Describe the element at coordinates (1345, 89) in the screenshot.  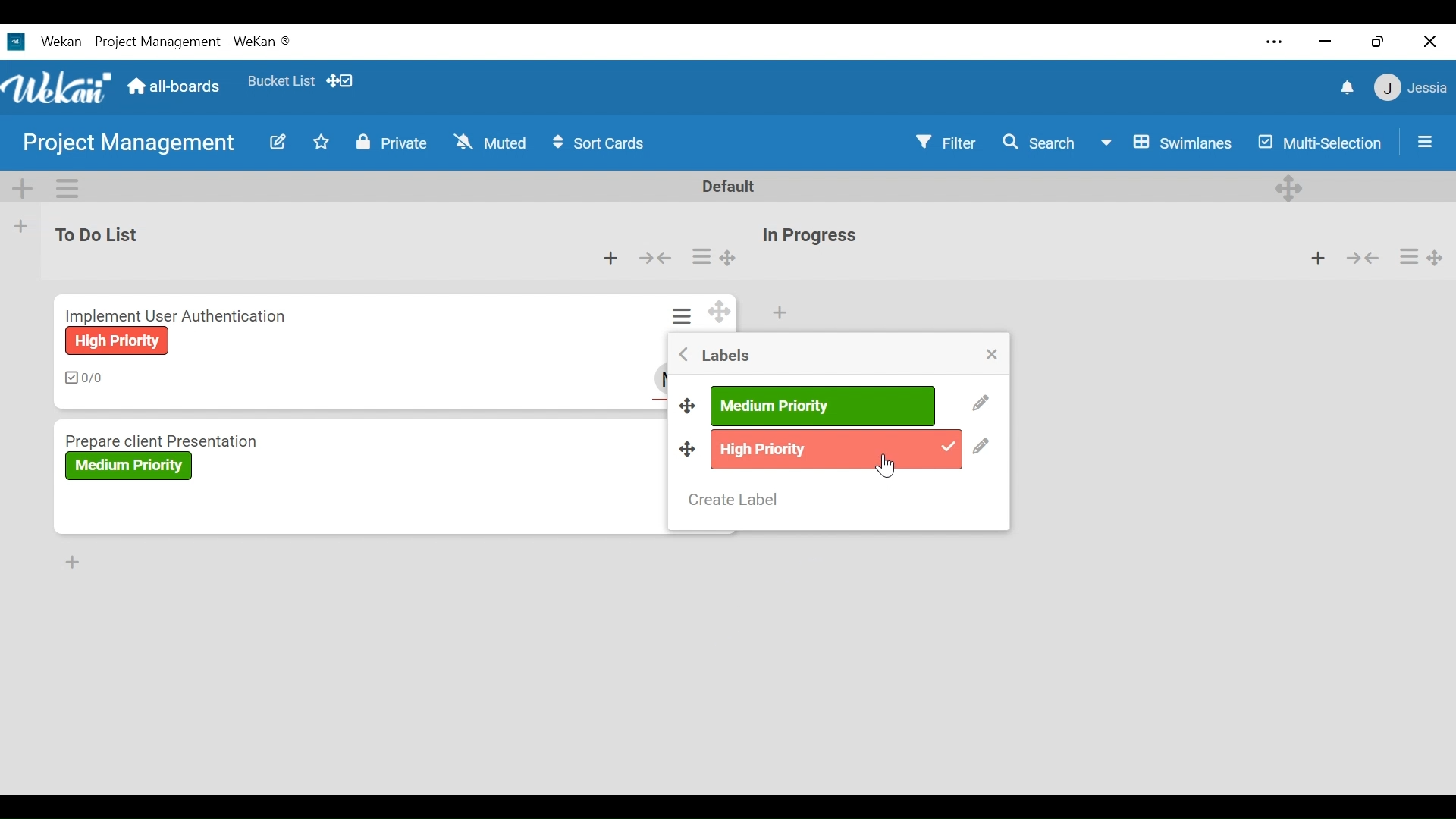
I see `notifications` at that location.